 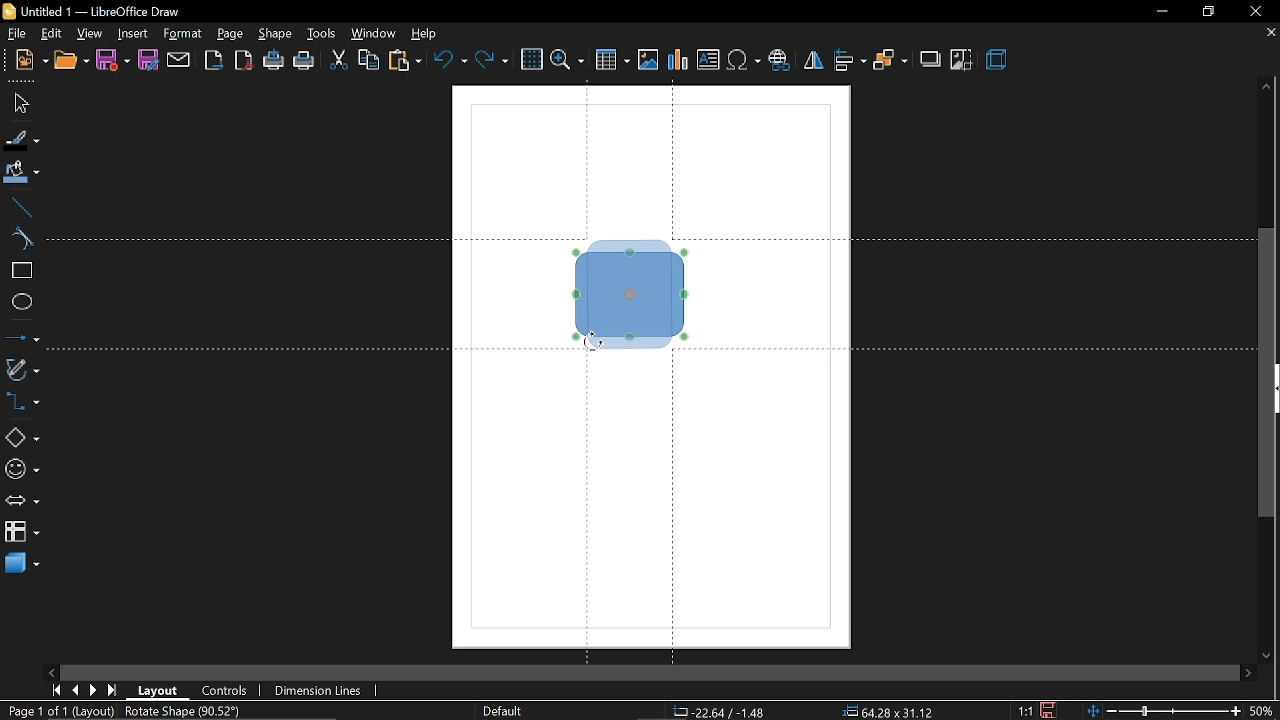 I want to click on next page, so click(x=94, y=691).